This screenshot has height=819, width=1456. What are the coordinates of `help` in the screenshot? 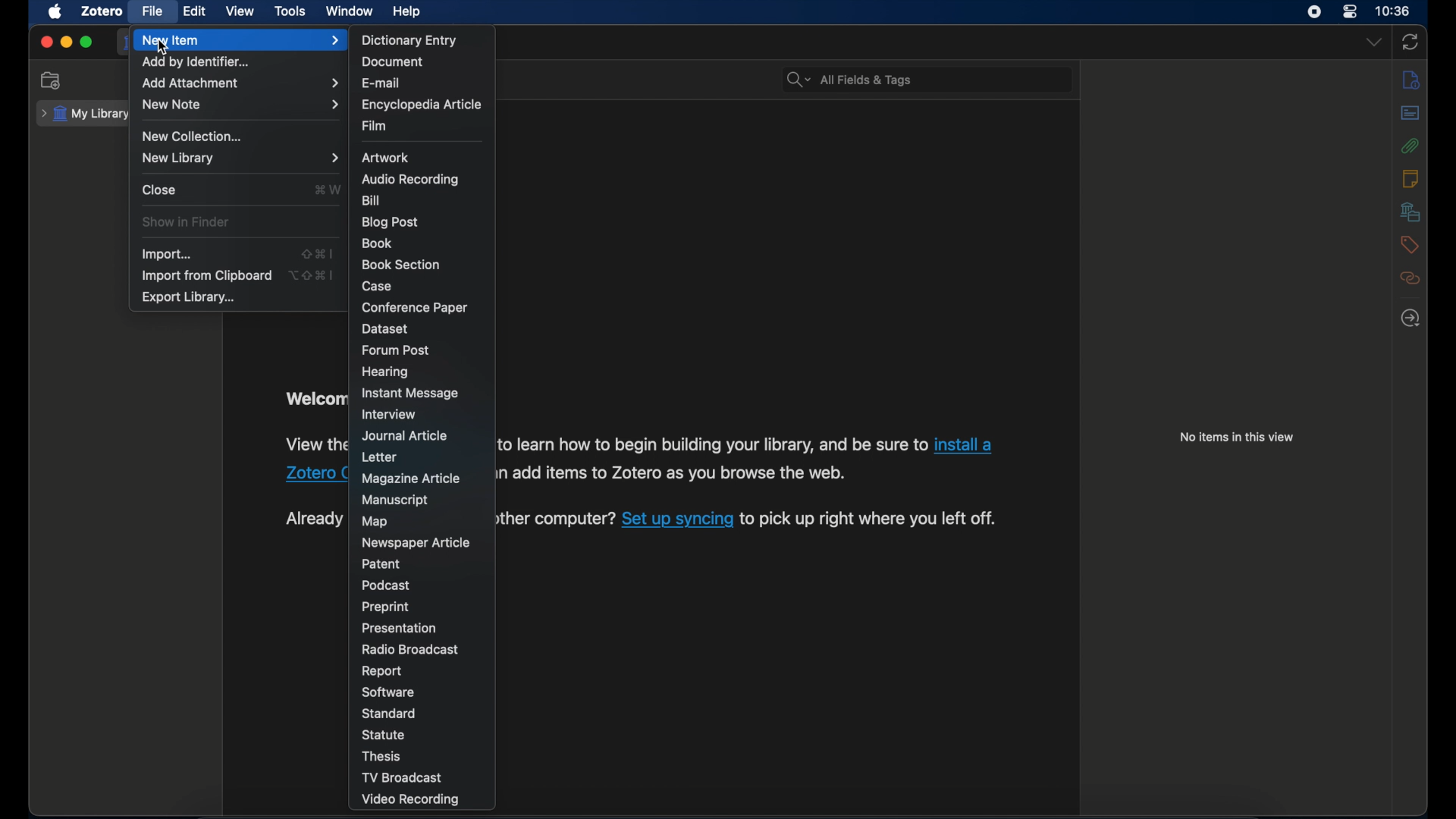 It's located at (409, 12).